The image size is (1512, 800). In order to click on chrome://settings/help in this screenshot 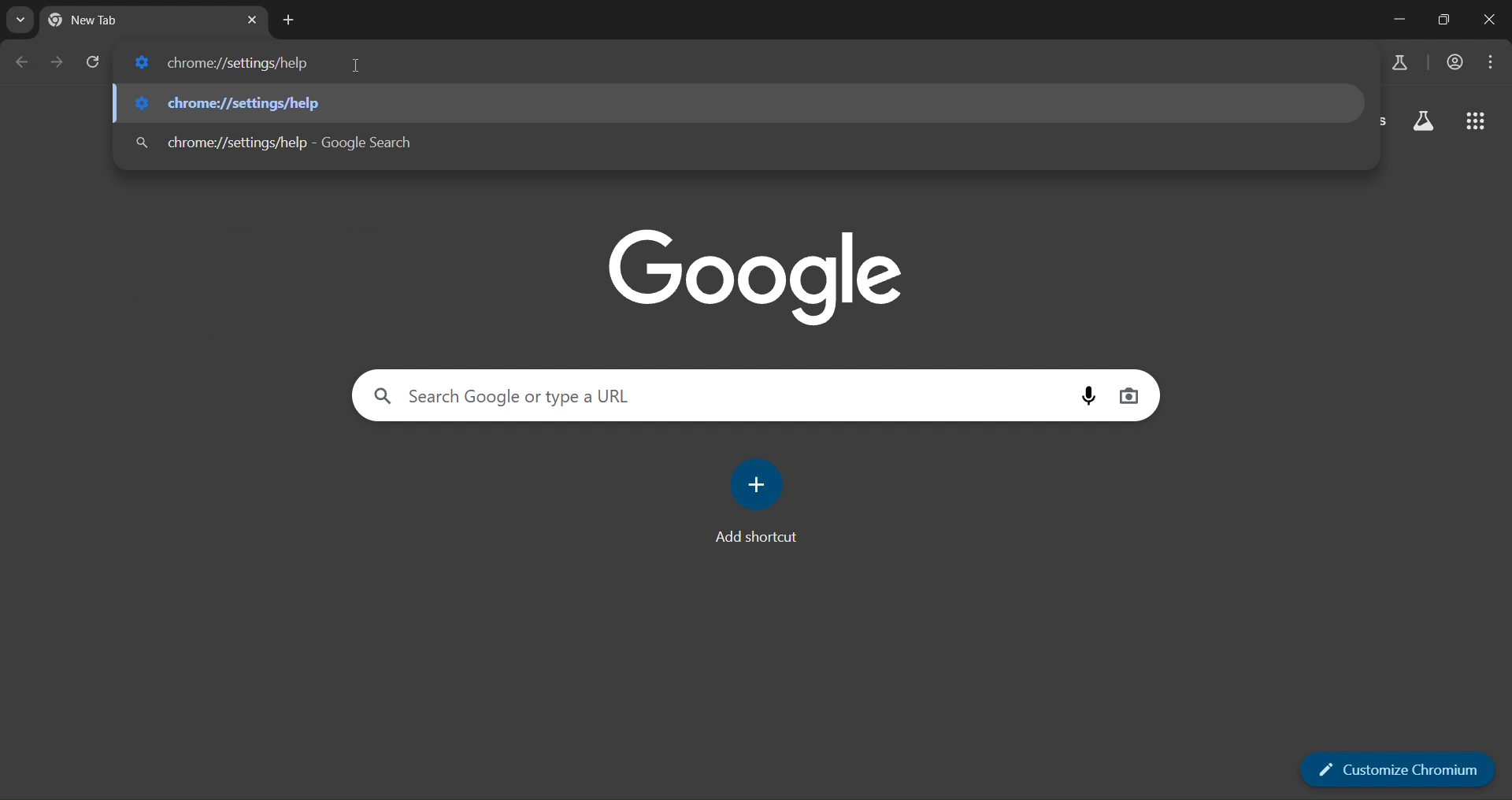, I will do `click(288, 143)`.